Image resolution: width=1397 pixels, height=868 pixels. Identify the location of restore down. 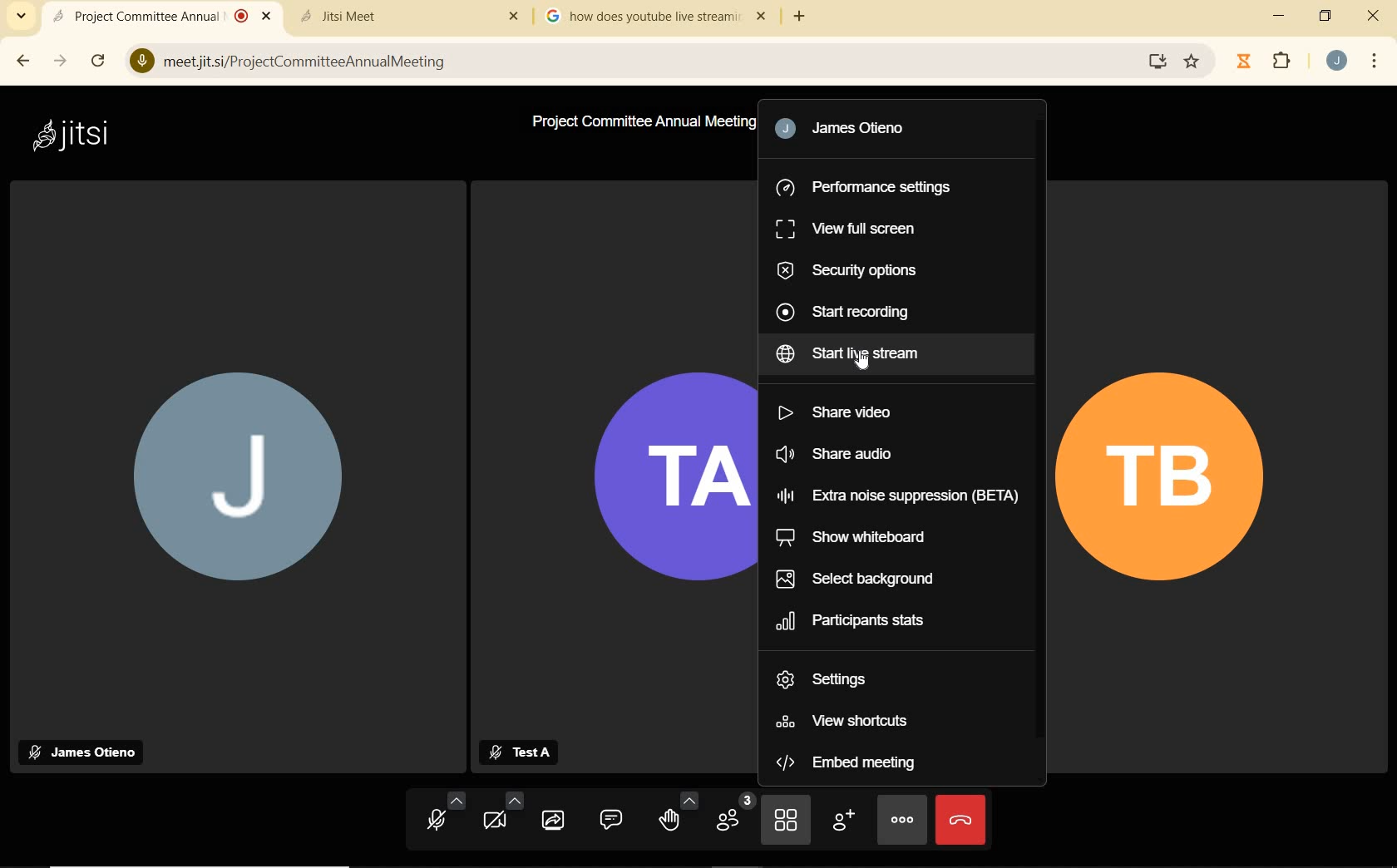
(1327, 17).